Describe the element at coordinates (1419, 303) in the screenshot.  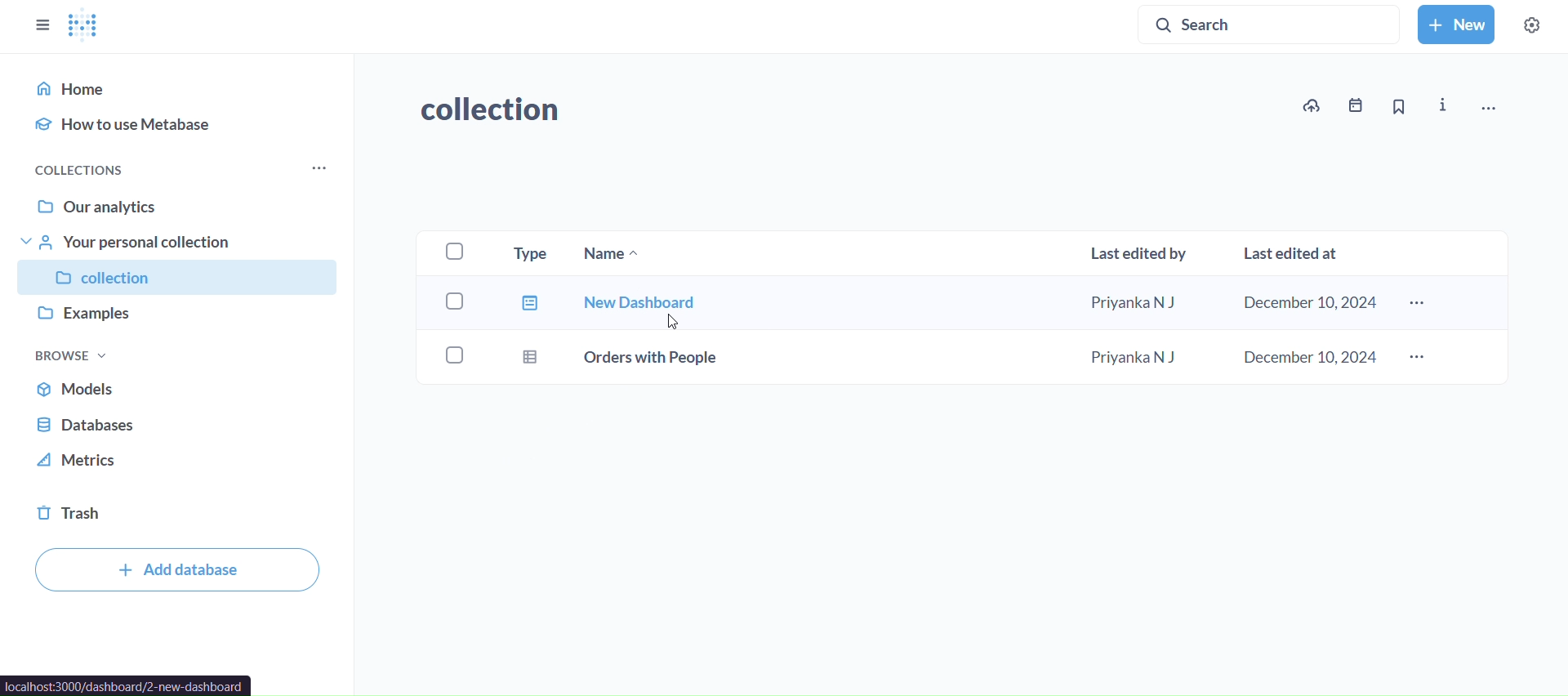
I see `more` at that location.